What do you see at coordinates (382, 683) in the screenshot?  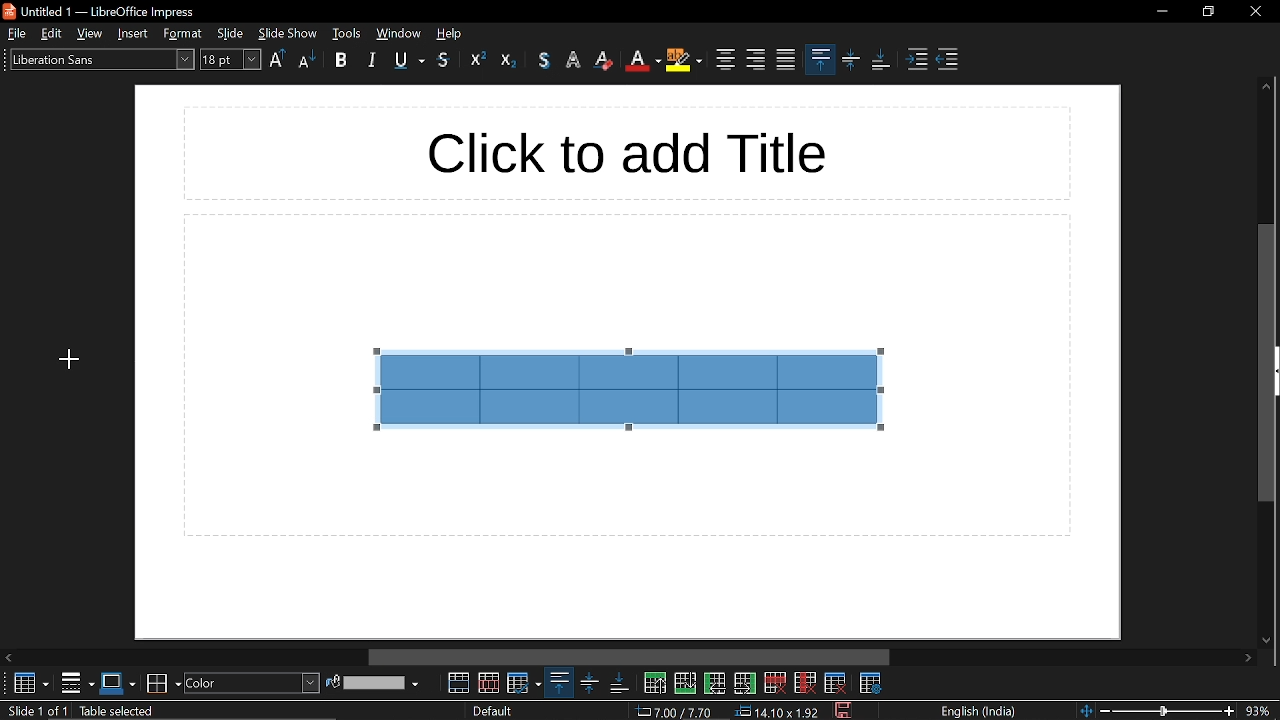 I see `fill color` at bounding box center [382, 683].